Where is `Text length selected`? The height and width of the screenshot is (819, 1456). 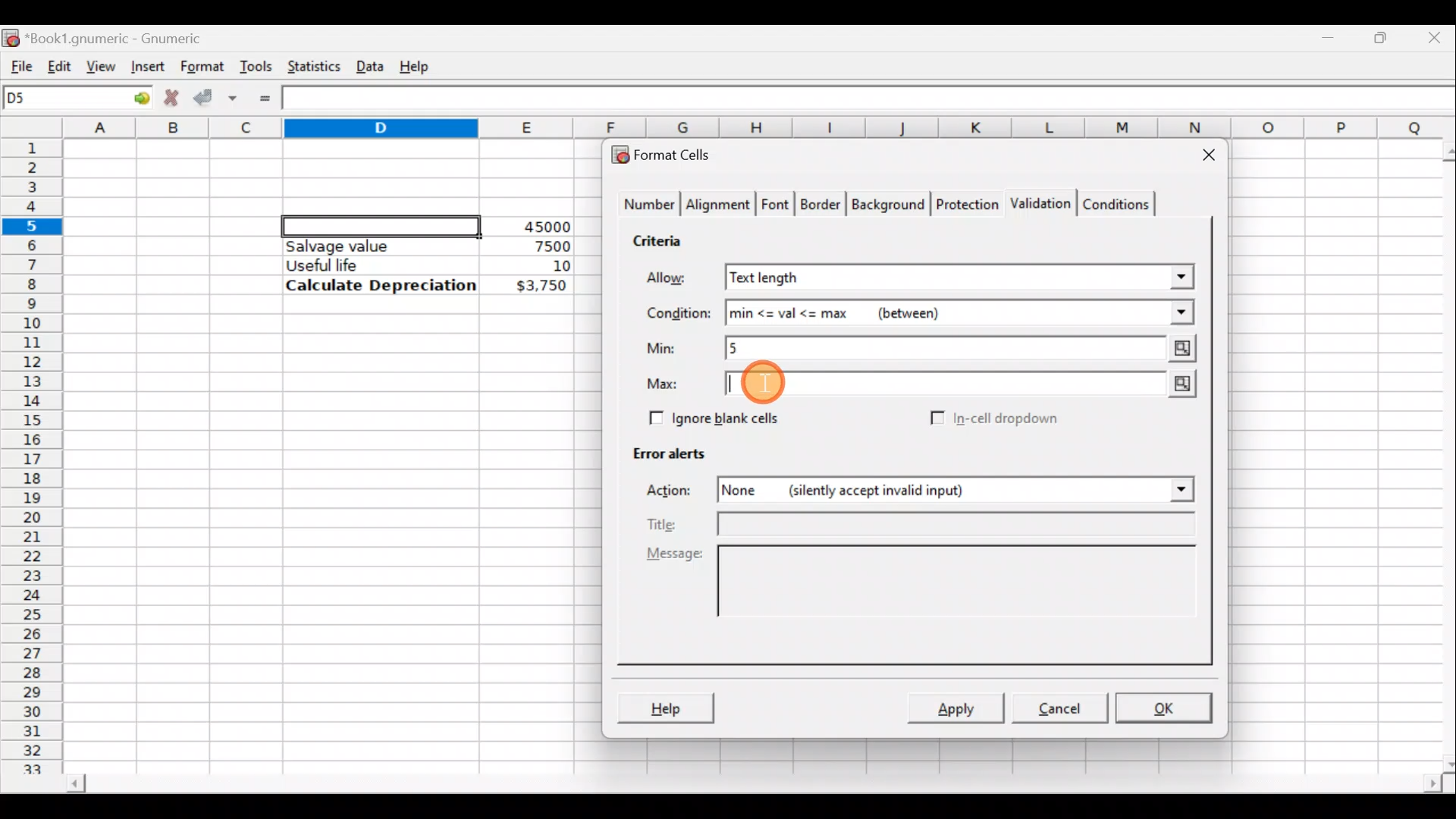 Text length selected is located at coordinates (937, 278).